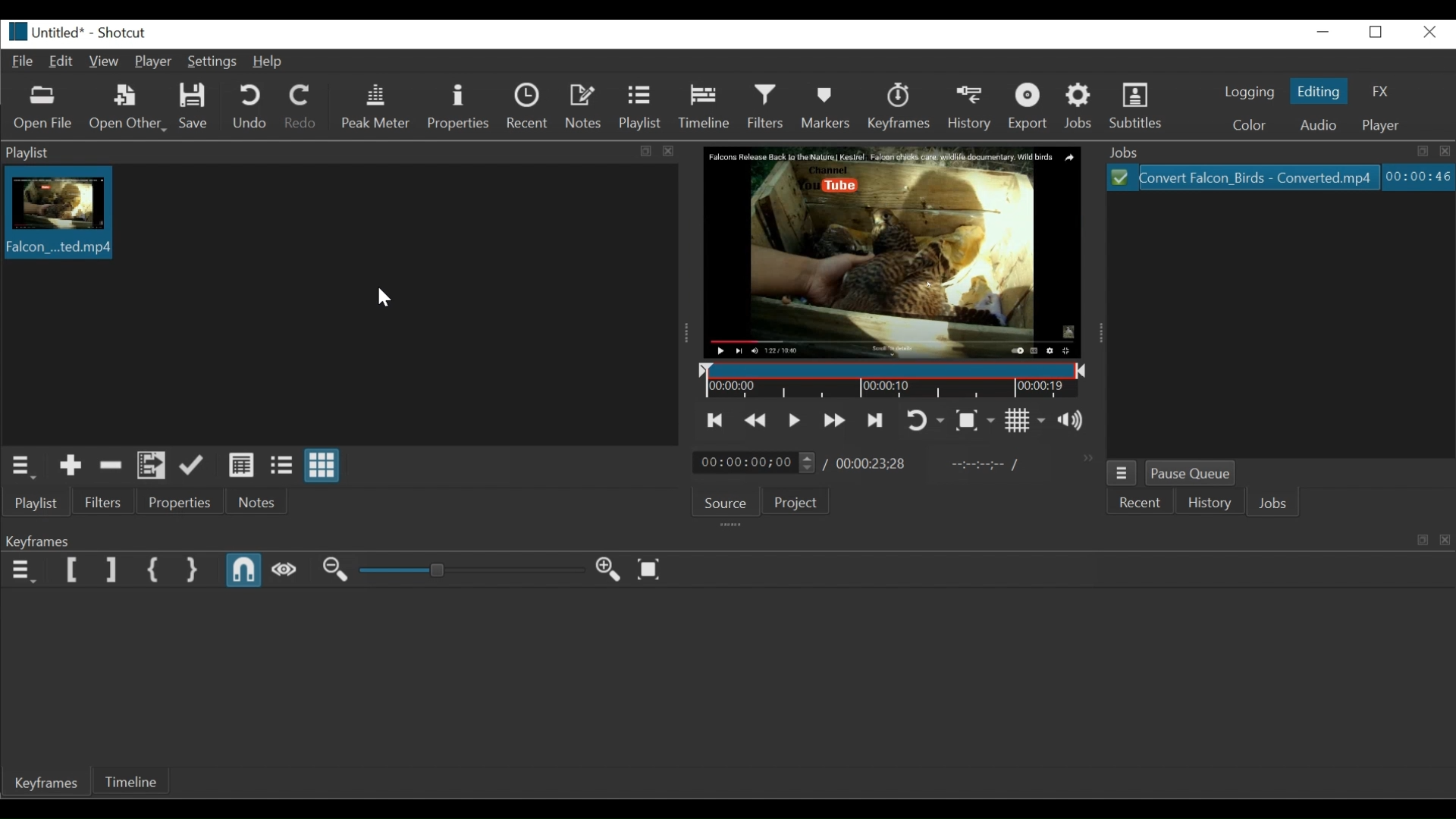  What do you see at coordinates (529, 106) in the screenshot?
I see `Recent` at bounding box center [529, 106].